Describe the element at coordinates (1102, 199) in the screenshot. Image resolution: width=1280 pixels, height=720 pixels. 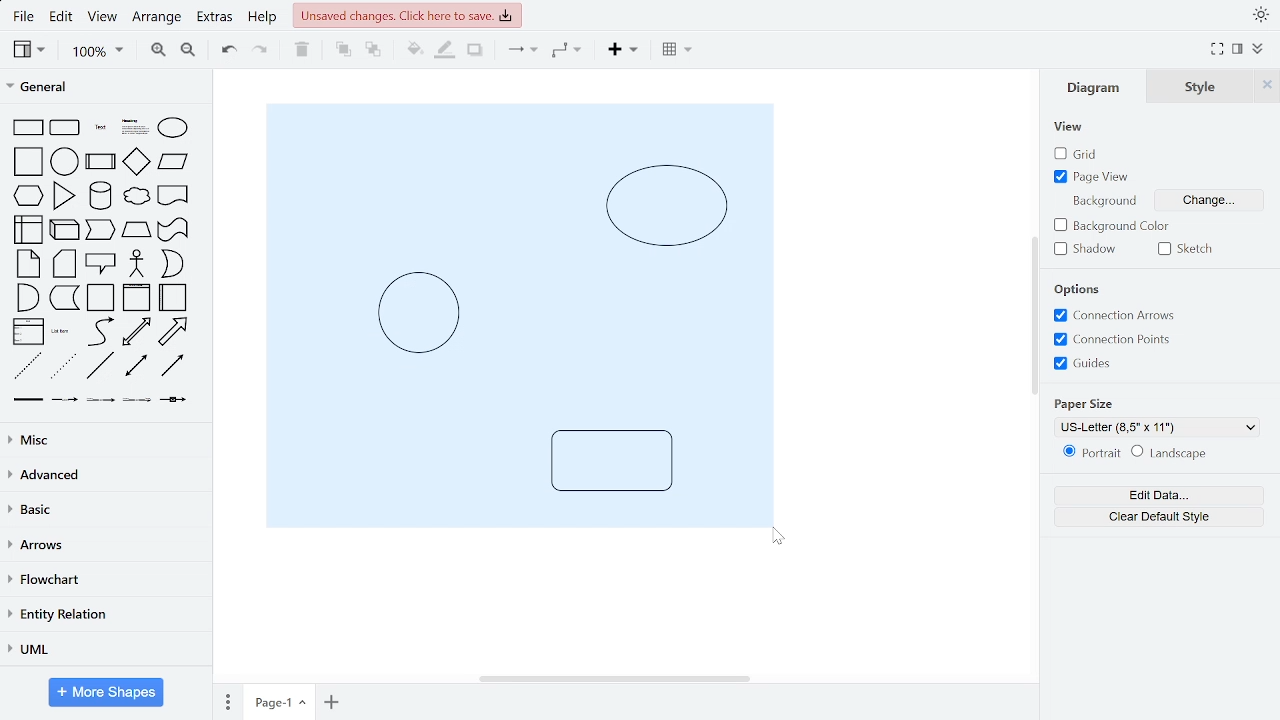
I see `background` at that location.